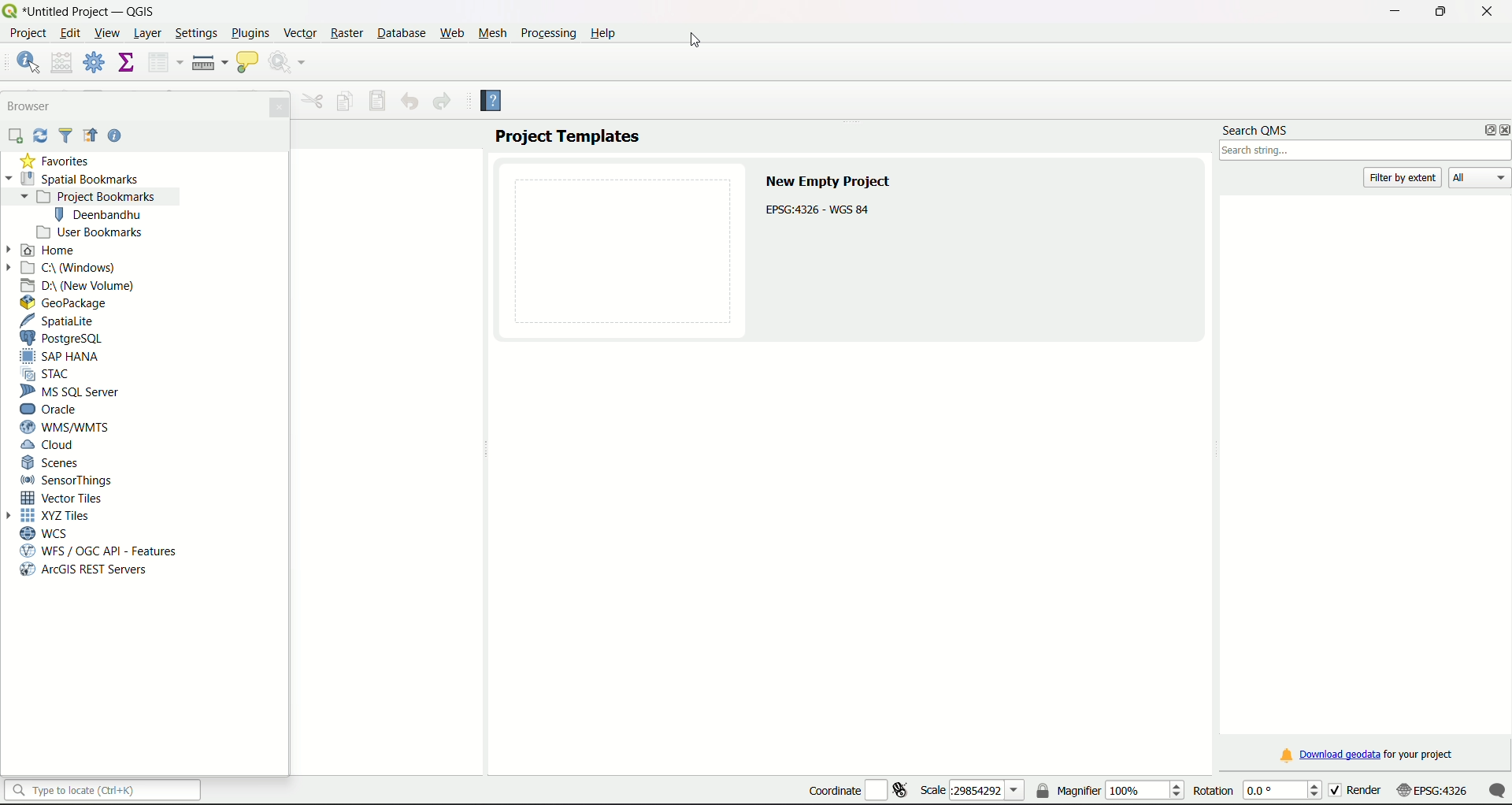 The height and width of the screenshot is (805, 1512). I want to click on Mesh, so click(493, 33).